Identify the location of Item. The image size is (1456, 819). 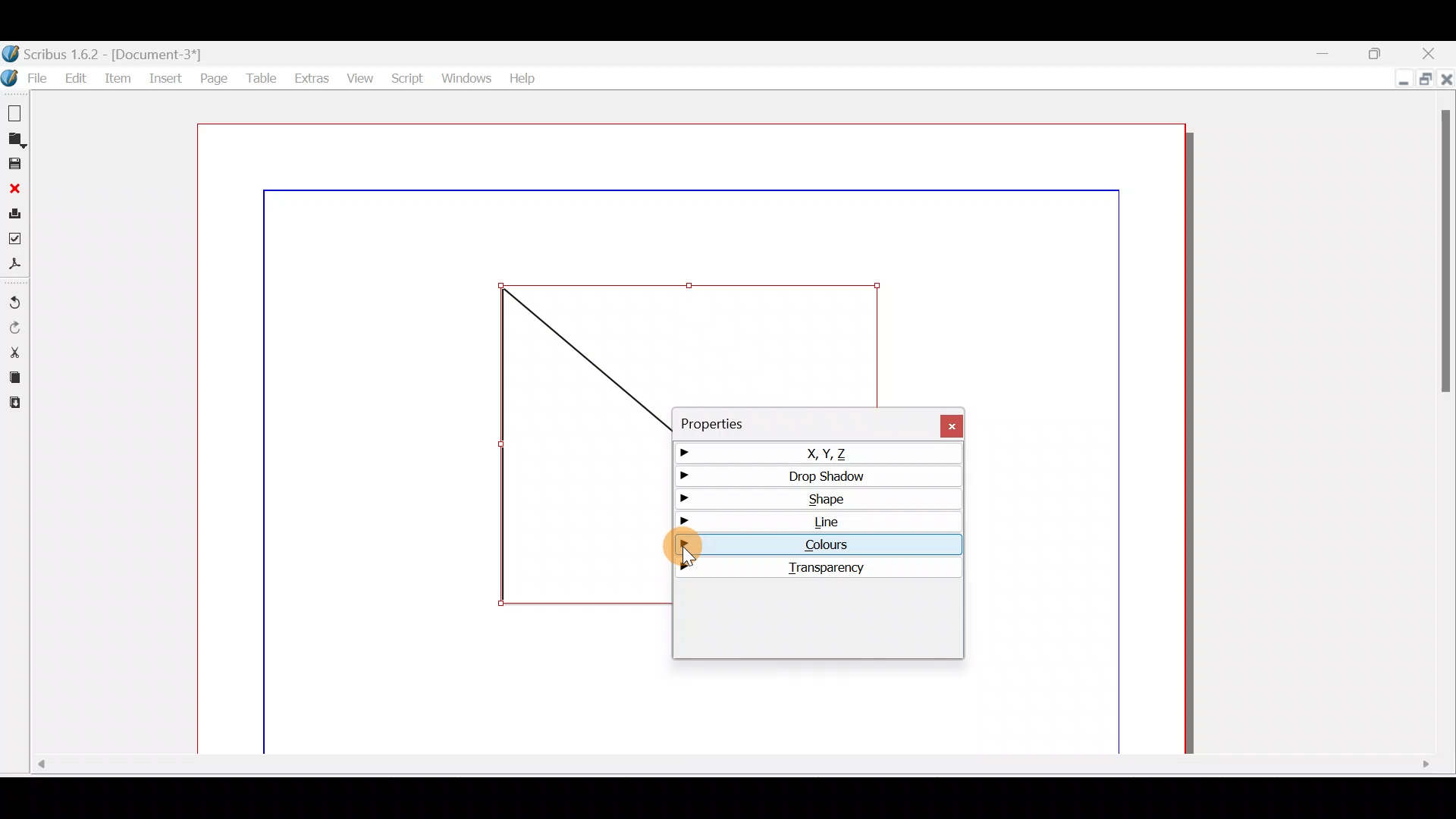
(118, 81).